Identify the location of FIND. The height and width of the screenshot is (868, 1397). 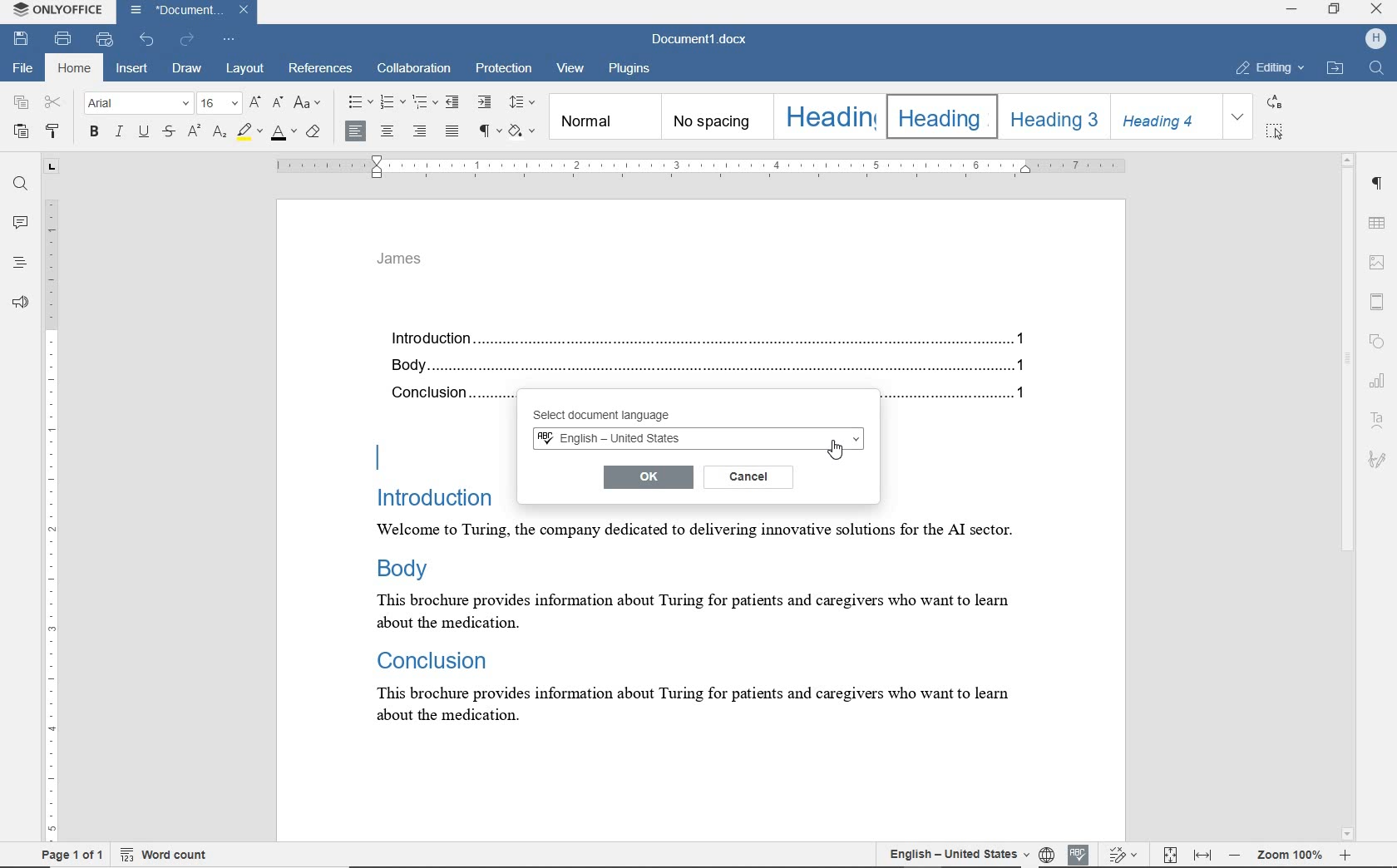
(1379, 70).